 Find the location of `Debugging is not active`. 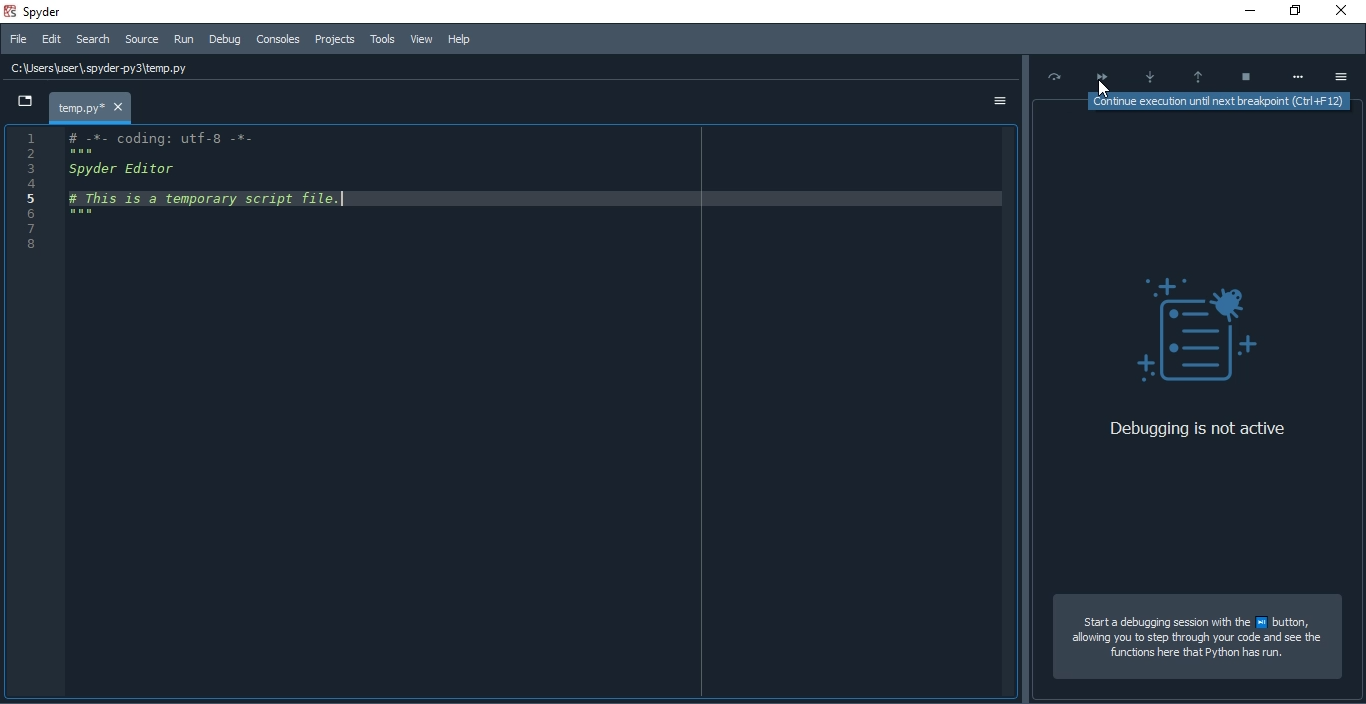

Debugging is not active is located at coordinates (1182, 427).